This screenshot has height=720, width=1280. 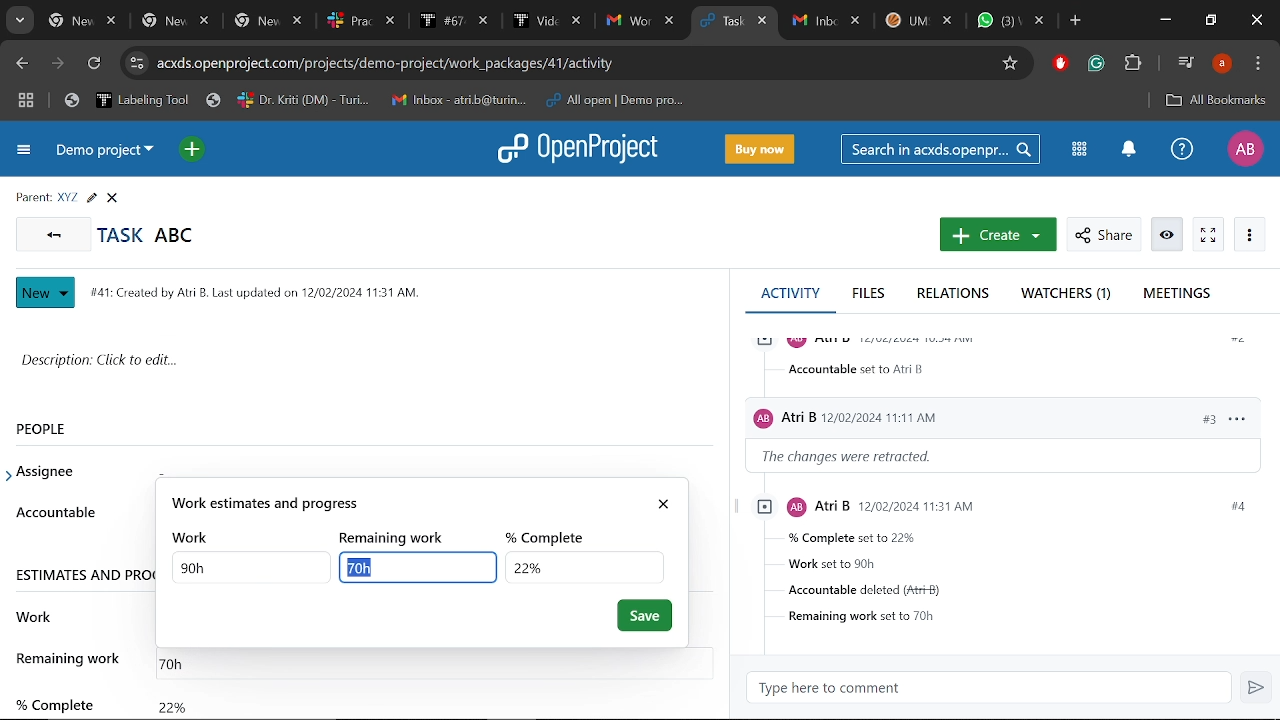 What do you see at coordinates (1135, 64) in the screenshot?
I see `Extensions` at bounding box center [1135, 64].